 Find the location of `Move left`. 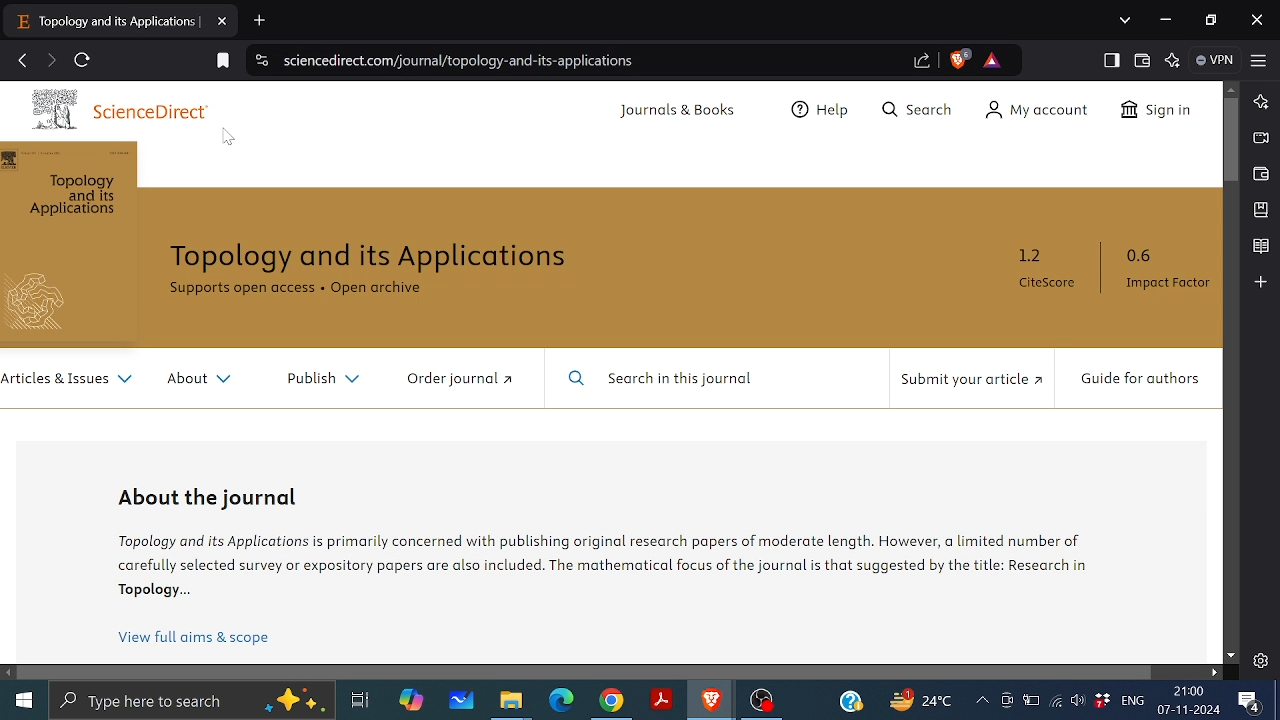

Move left is located at coordinates (8, 673).